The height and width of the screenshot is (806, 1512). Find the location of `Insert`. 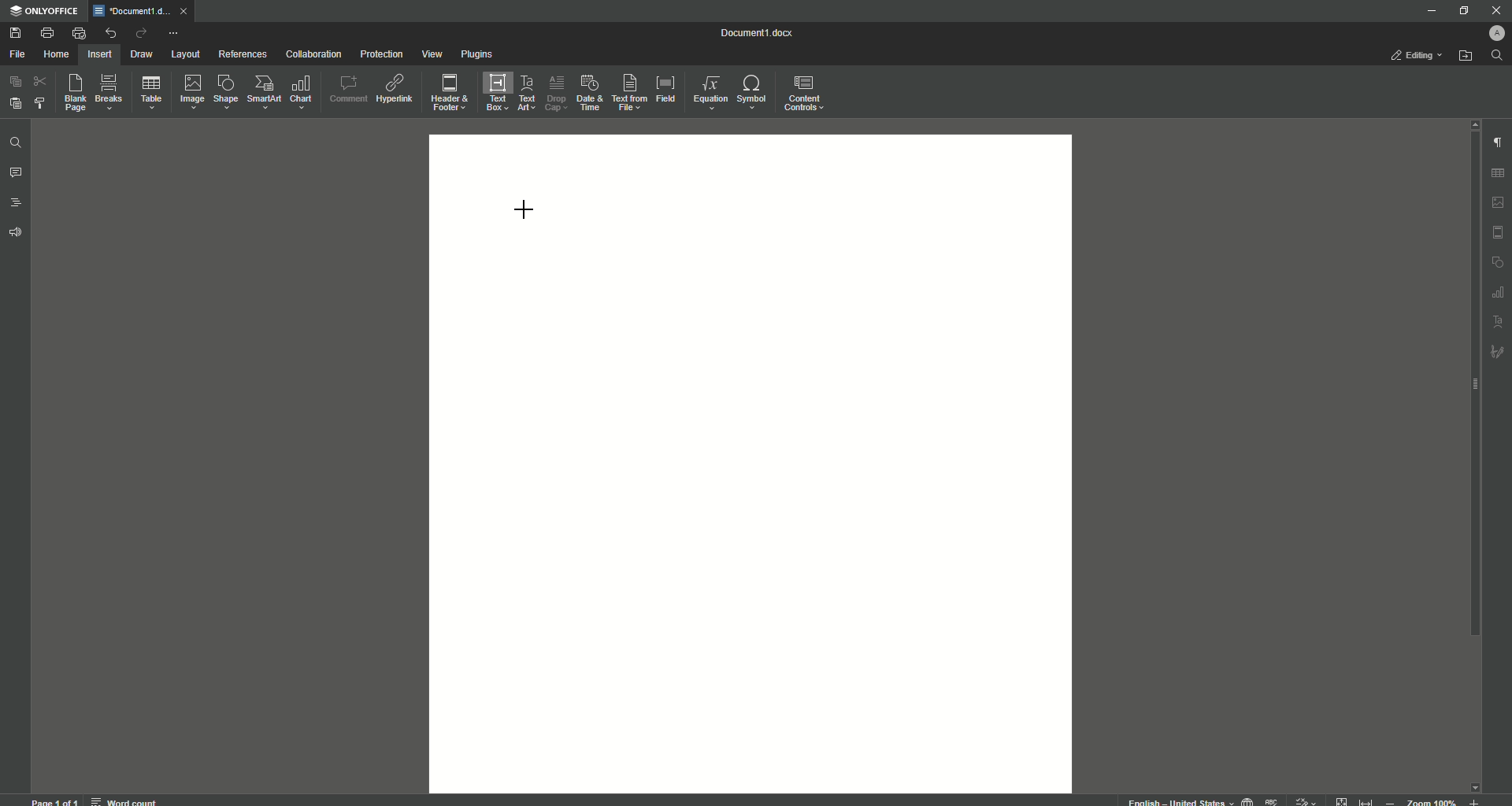

Insert is located at coordinates (98, 54).